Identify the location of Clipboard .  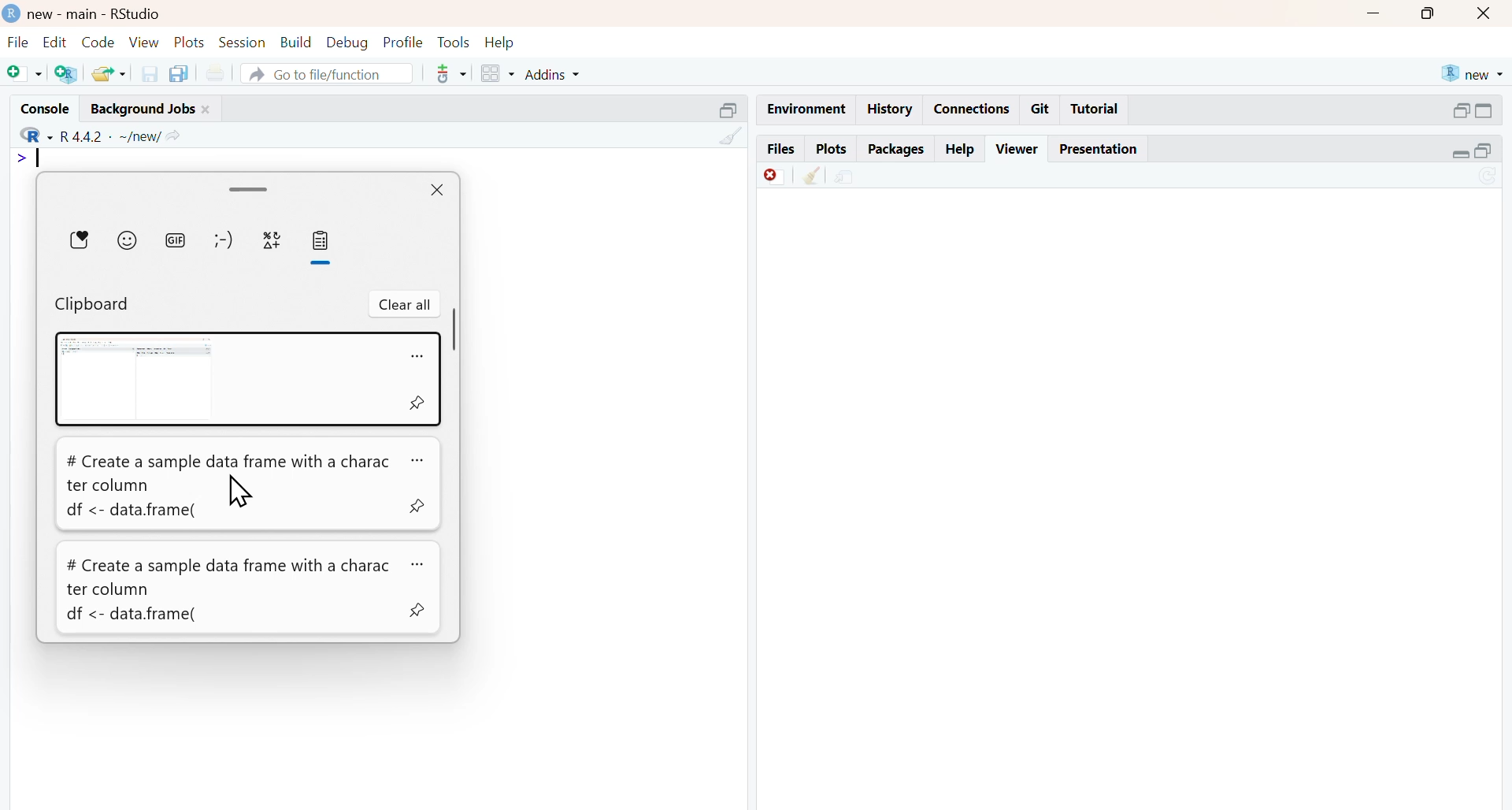
(321, 247).